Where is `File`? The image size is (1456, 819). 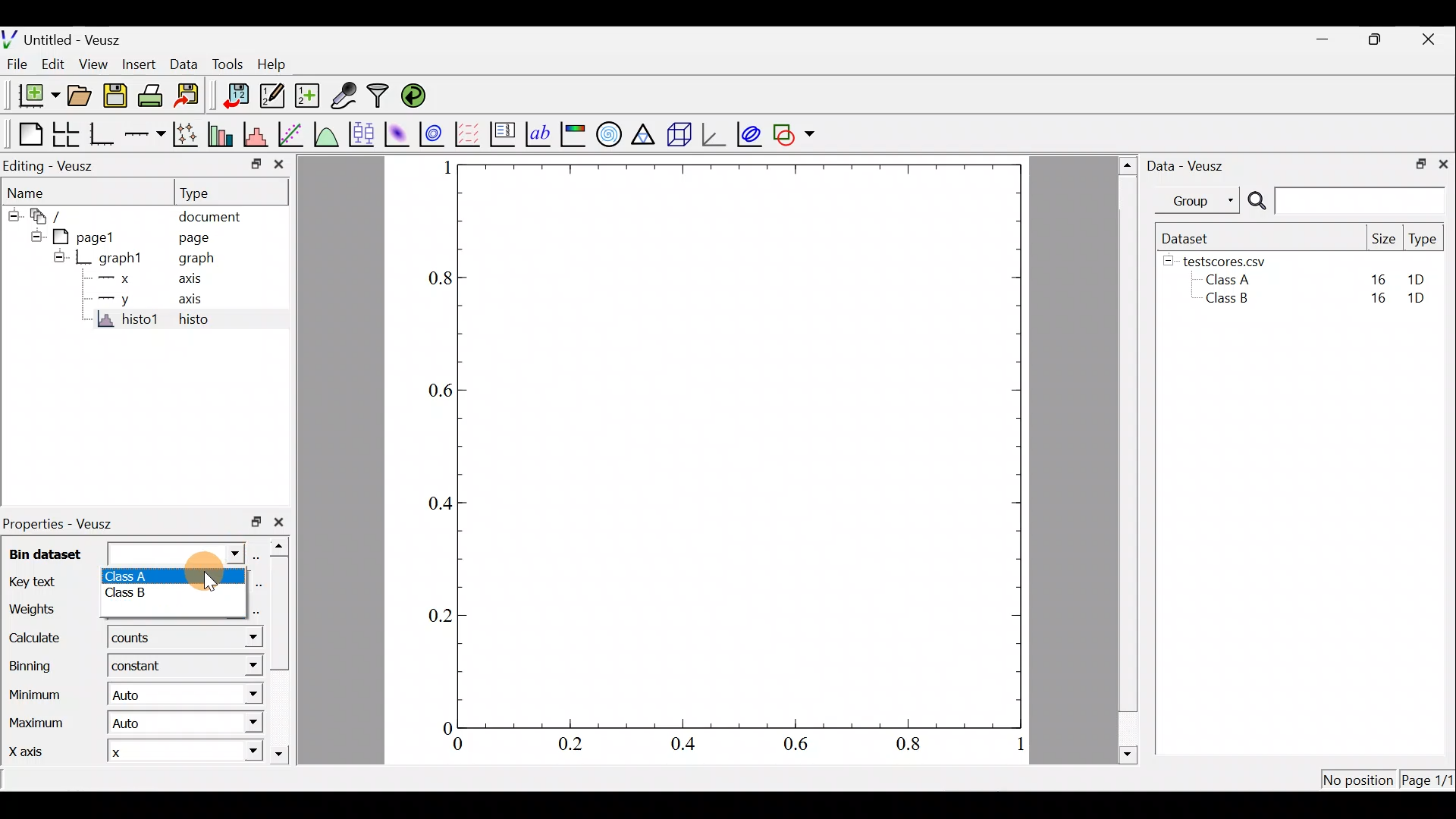
File is located at coordinates (19, 64).